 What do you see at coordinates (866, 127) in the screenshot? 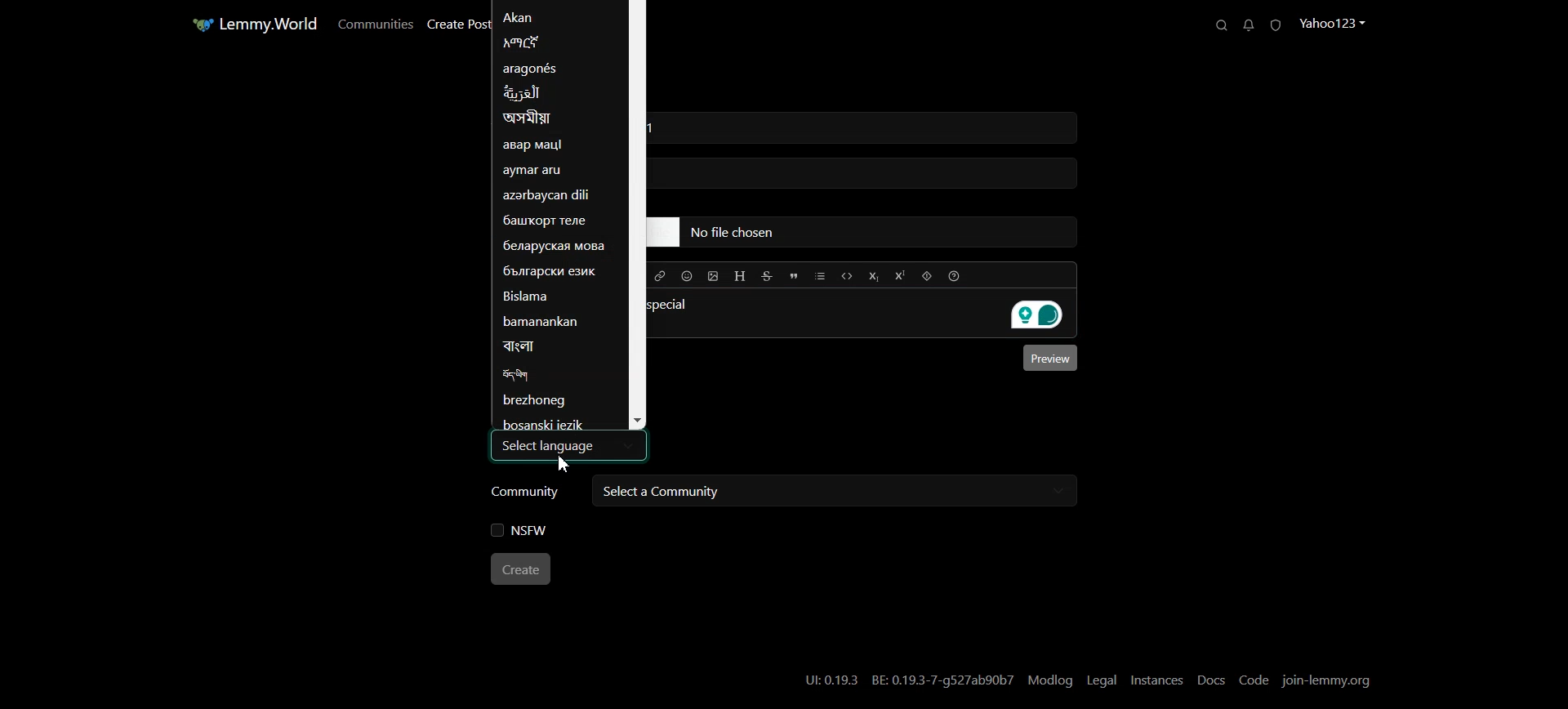
I see `typing field` at bounding box center [866, 127].